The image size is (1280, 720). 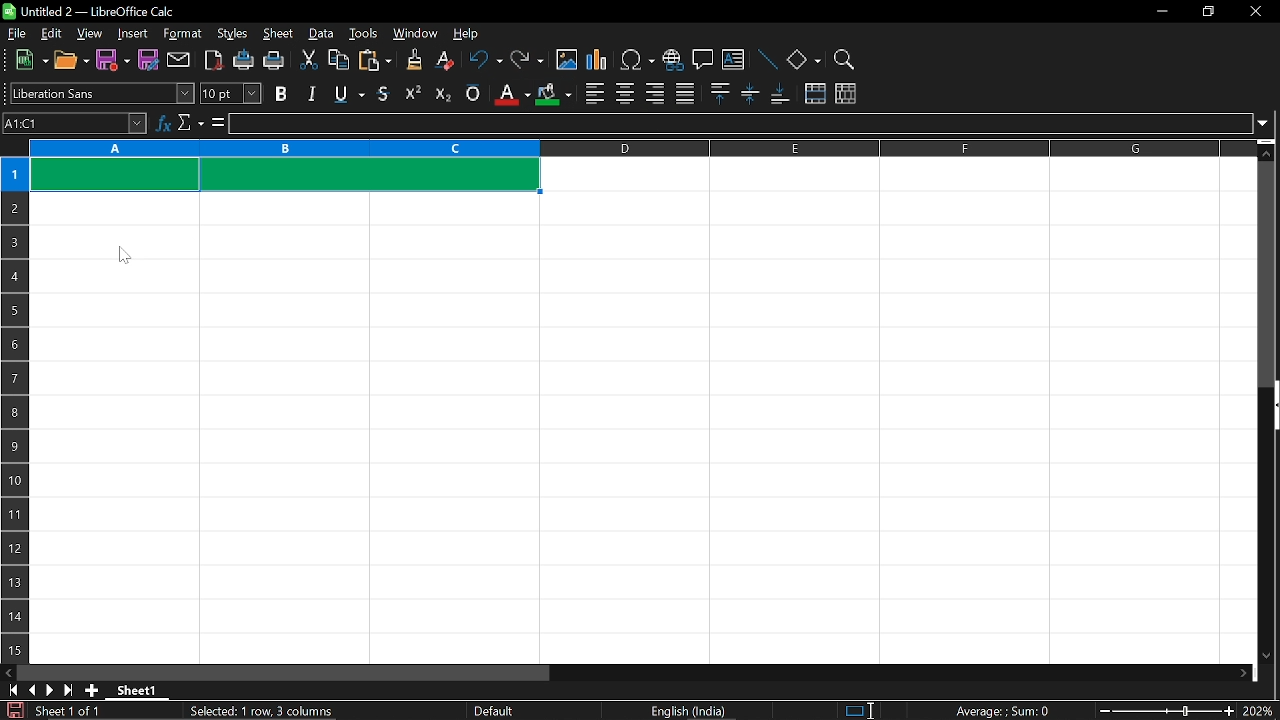 What do you see at coordinates (10, 691) in the screenshot?
I see `go to first page` at bounding box center [10, 691].